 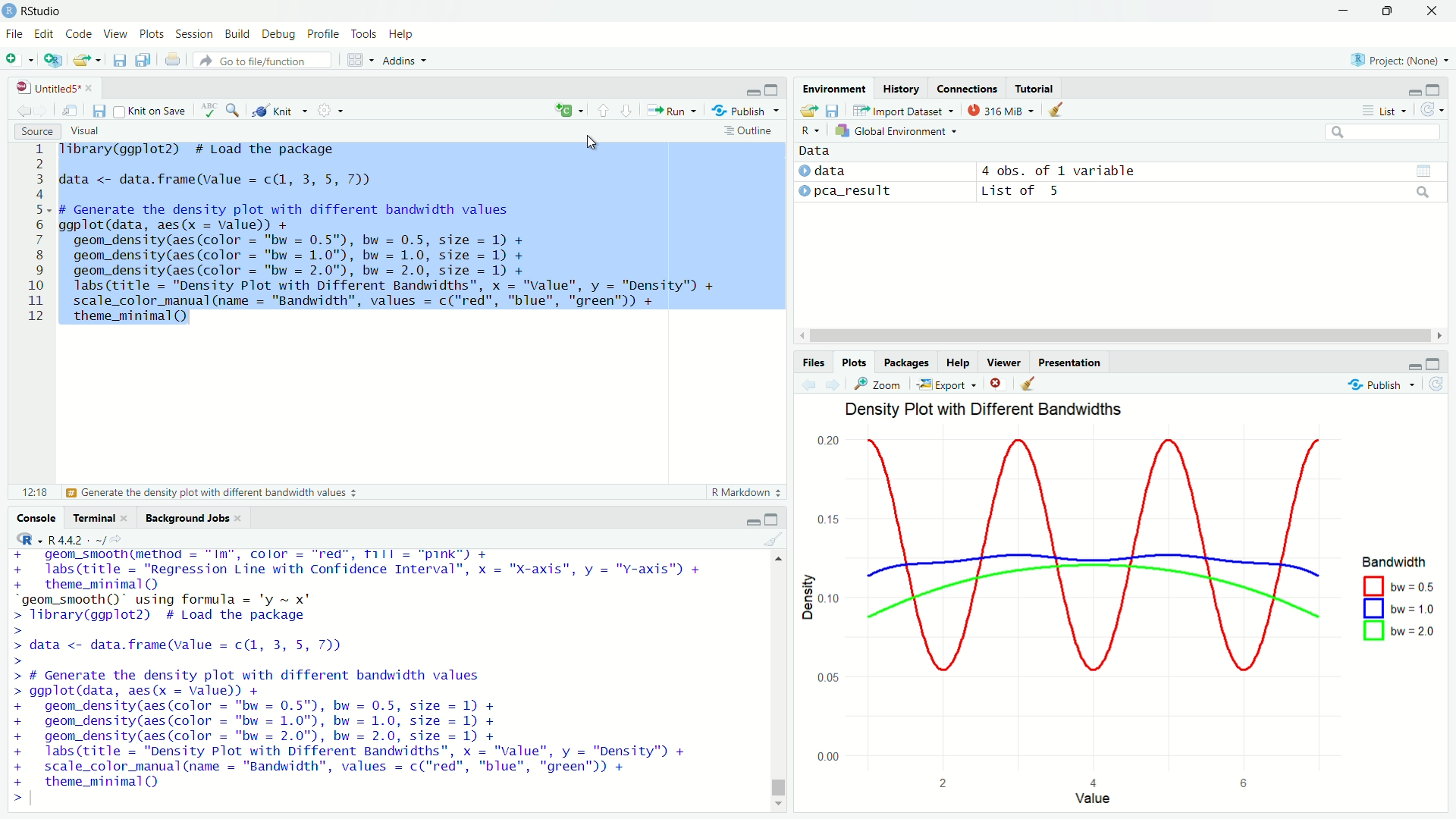 I want to click on Load workspace, so click(x=808, y=110).